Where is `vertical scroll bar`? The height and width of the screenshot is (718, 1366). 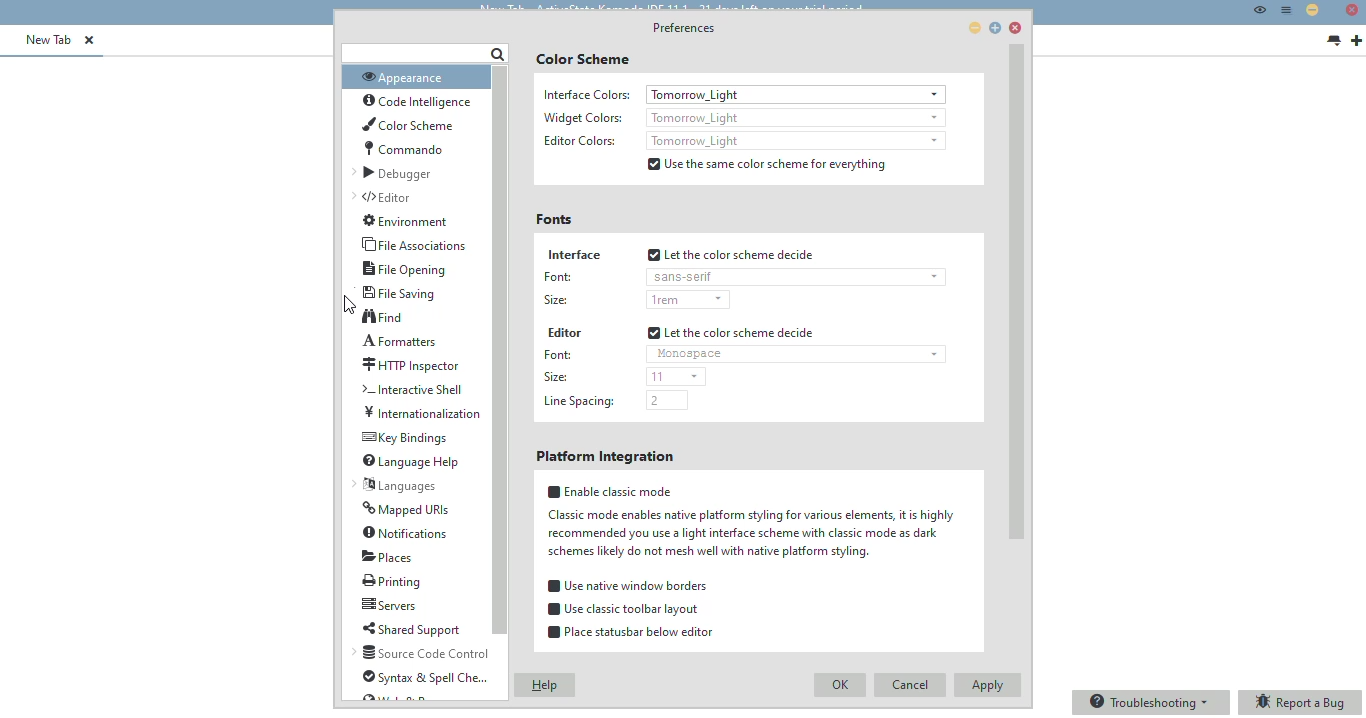 vertical scroll bar is located at coordinates (499, 351).